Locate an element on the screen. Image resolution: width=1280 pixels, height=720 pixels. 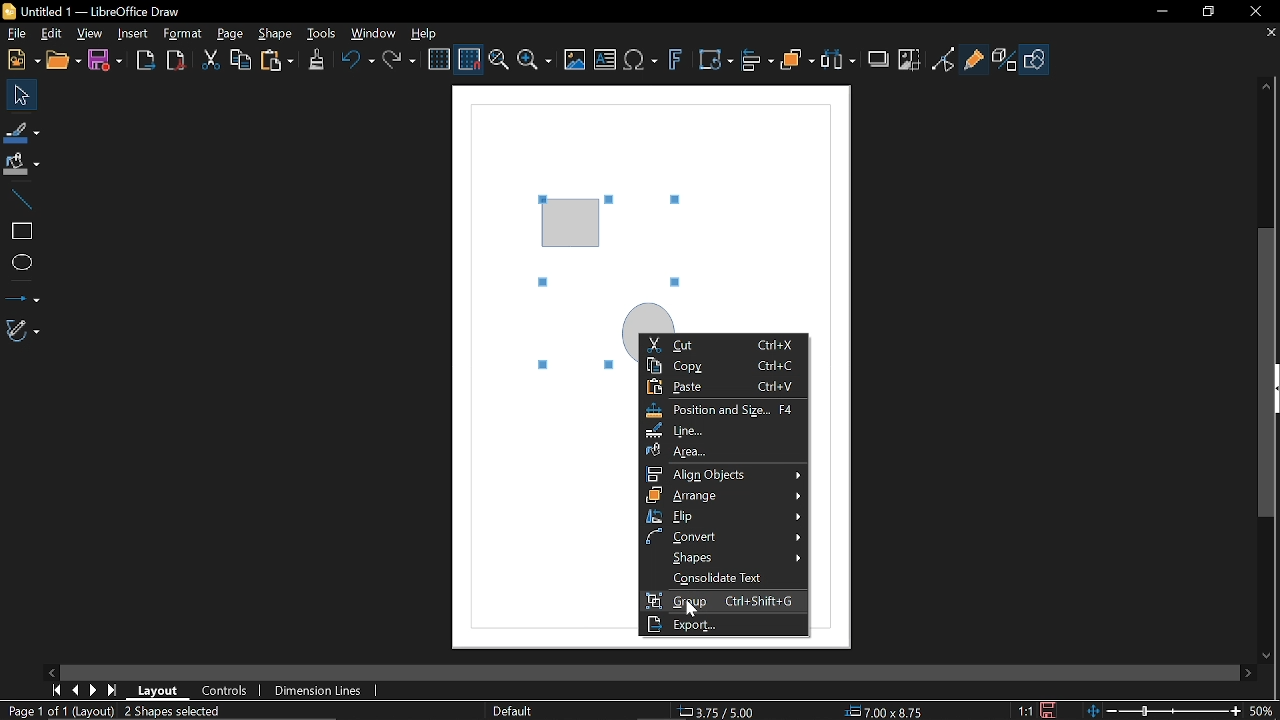
Save is located at coordinates (1049, 710).